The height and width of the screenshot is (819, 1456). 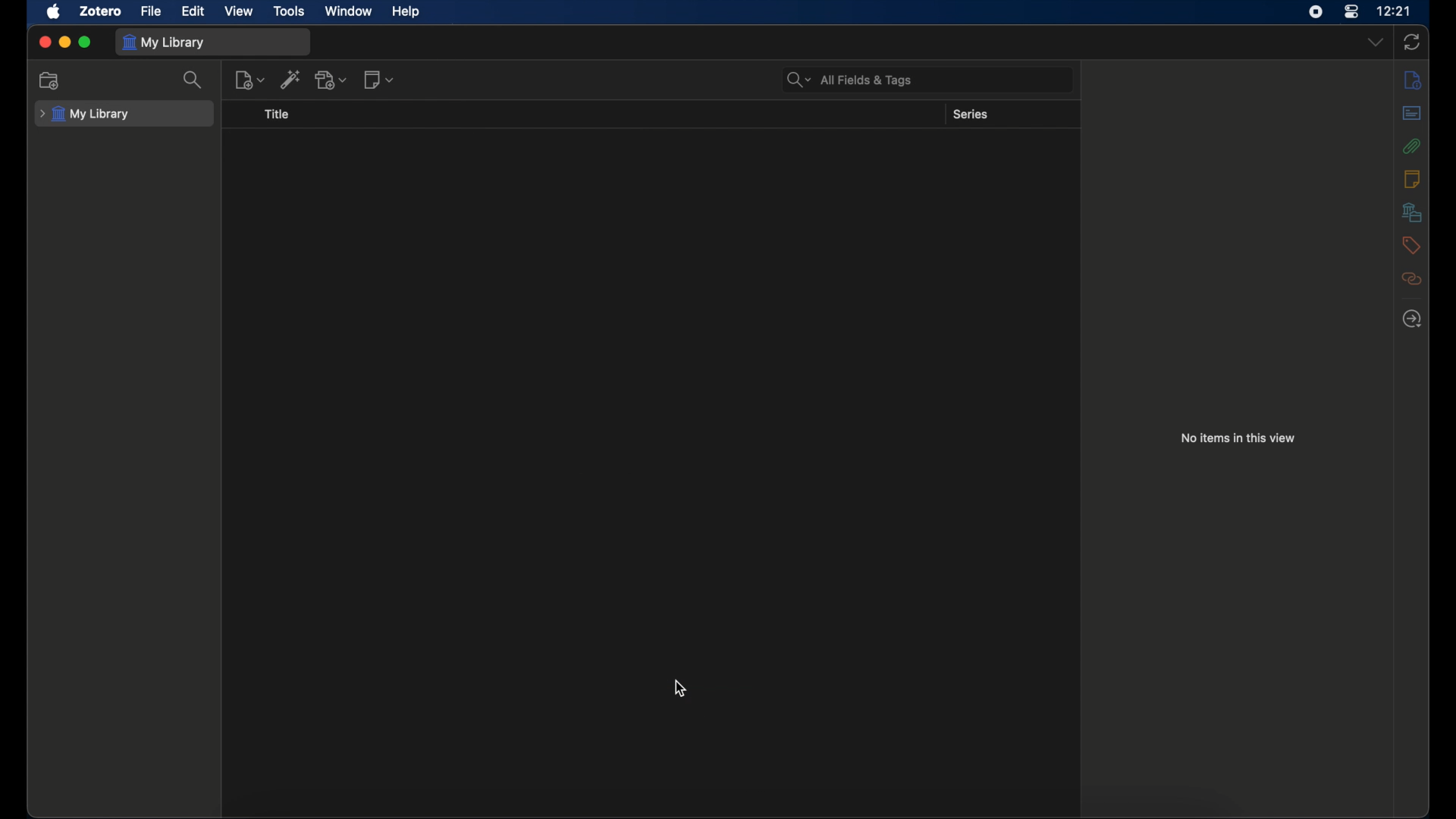 I want to click on search bar, so click(x=850, y=80).